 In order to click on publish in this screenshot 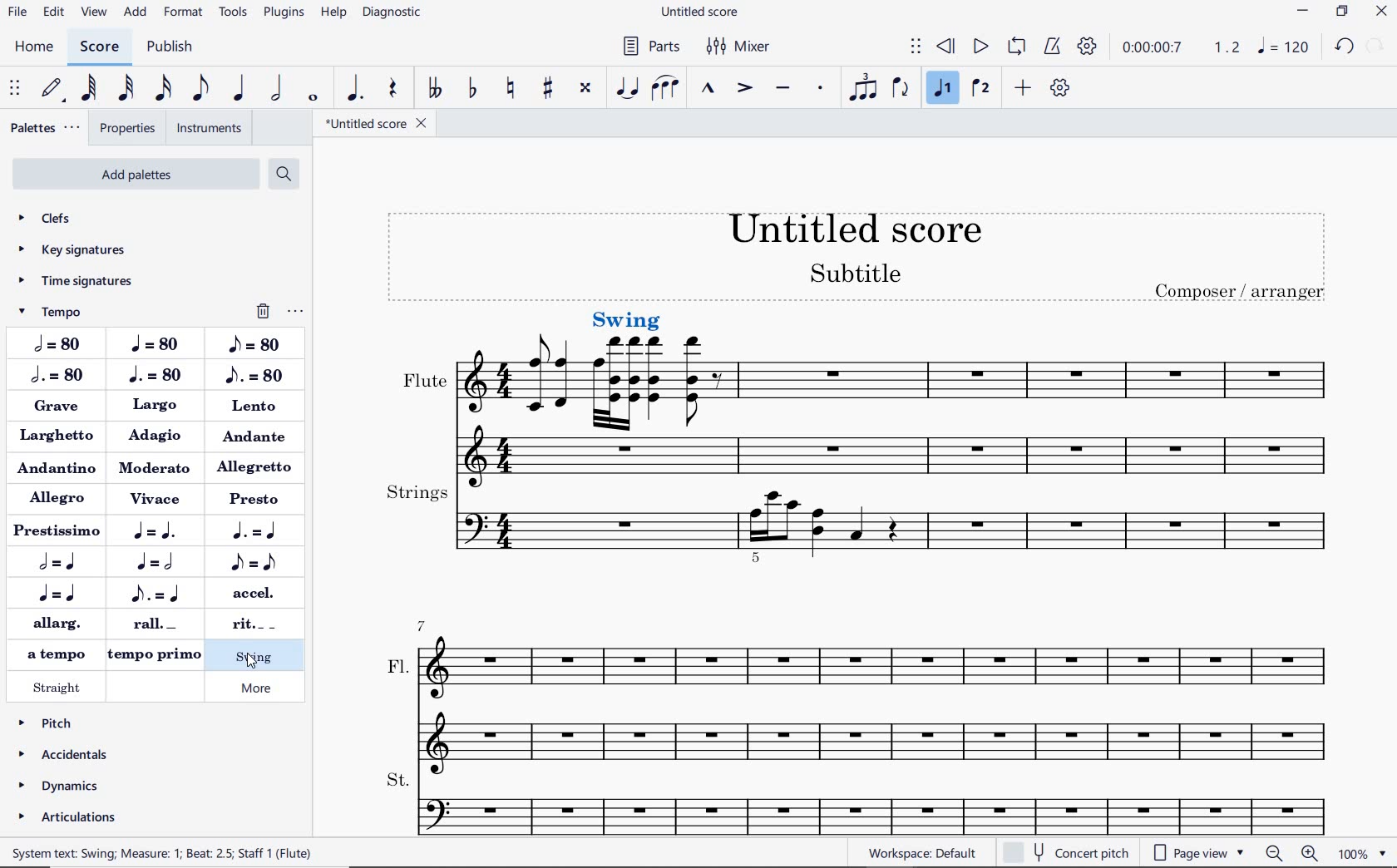, I will do `click(171, 47)`.